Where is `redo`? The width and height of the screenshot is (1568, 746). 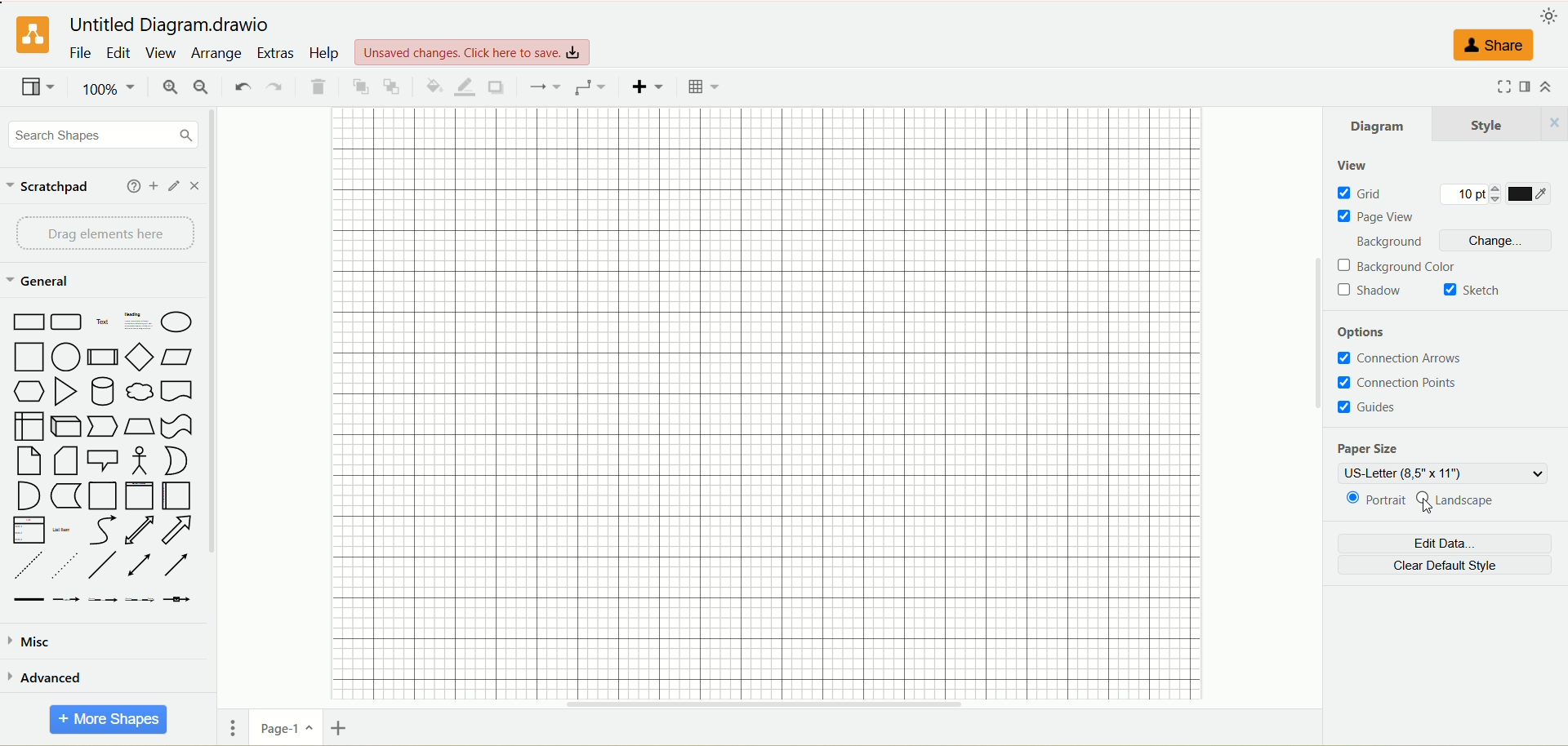
redo is located at coordinates (275, 85).